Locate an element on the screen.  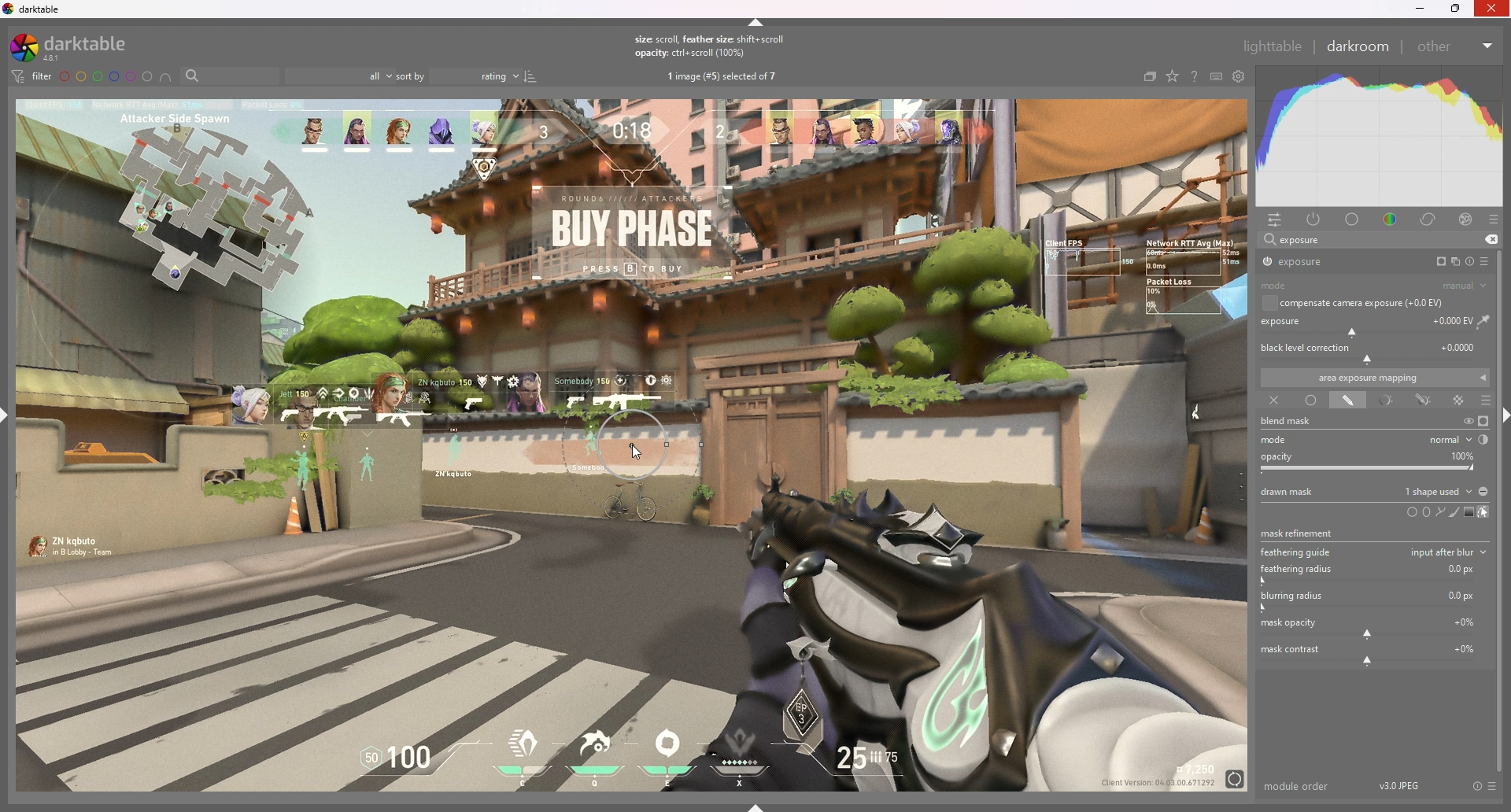
hide is located at coordinates (756, 23).